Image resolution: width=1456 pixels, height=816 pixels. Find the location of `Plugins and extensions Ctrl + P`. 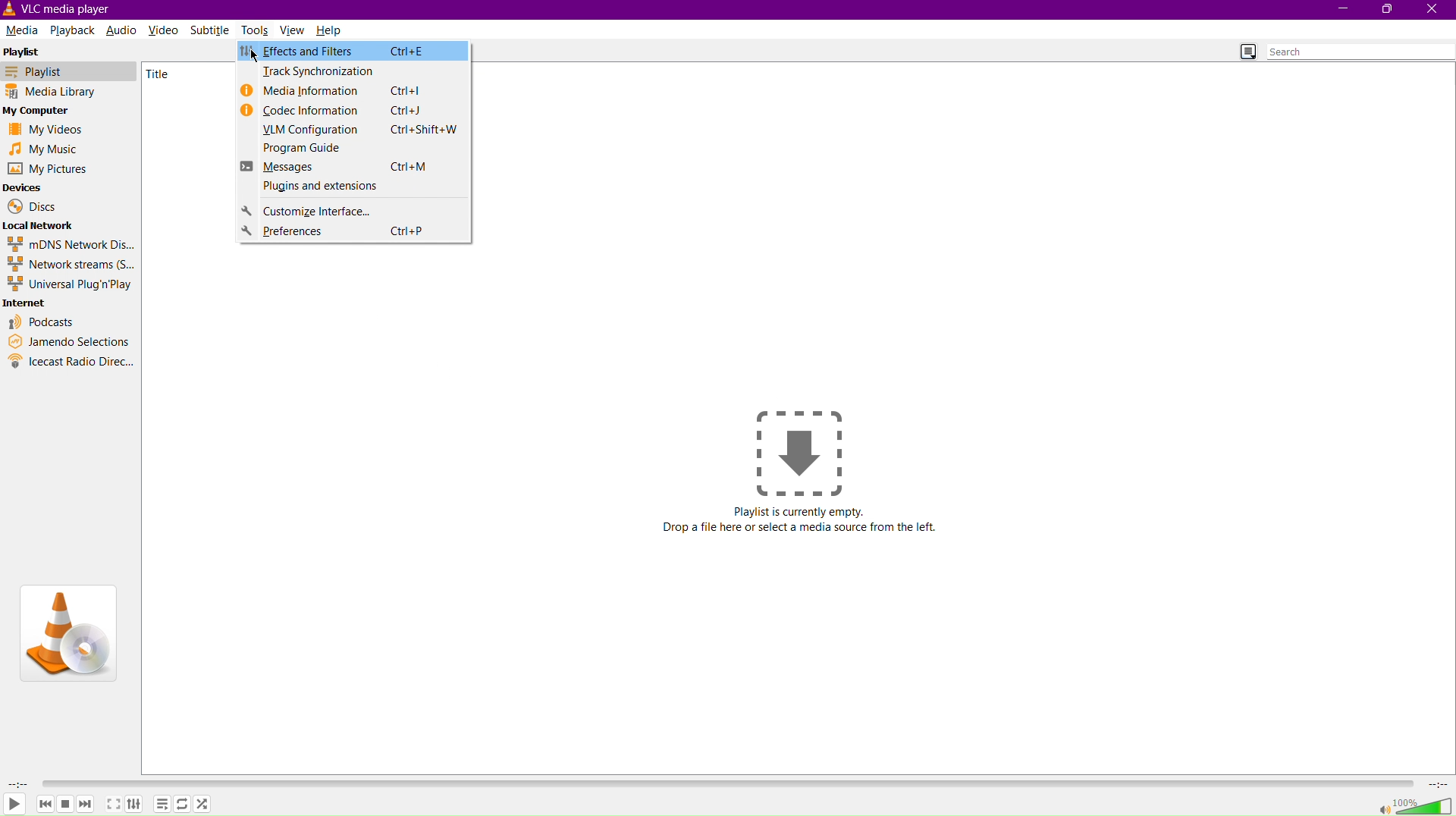

Plugins and extensions Ctrl + P is located at coordinates (351, 189).